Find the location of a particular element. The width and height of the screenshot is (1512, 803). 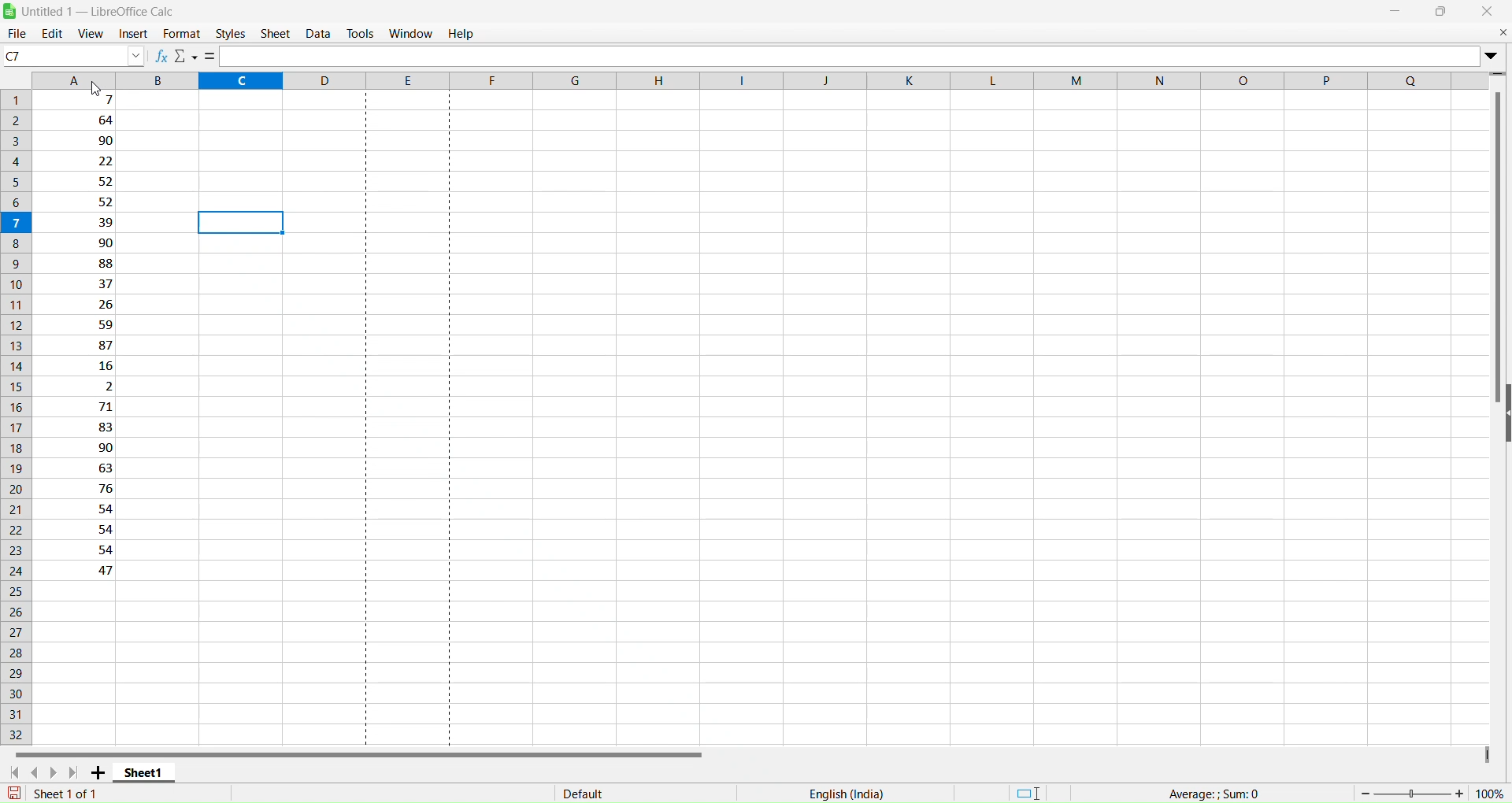

Title is located at coordinates (102, 11).